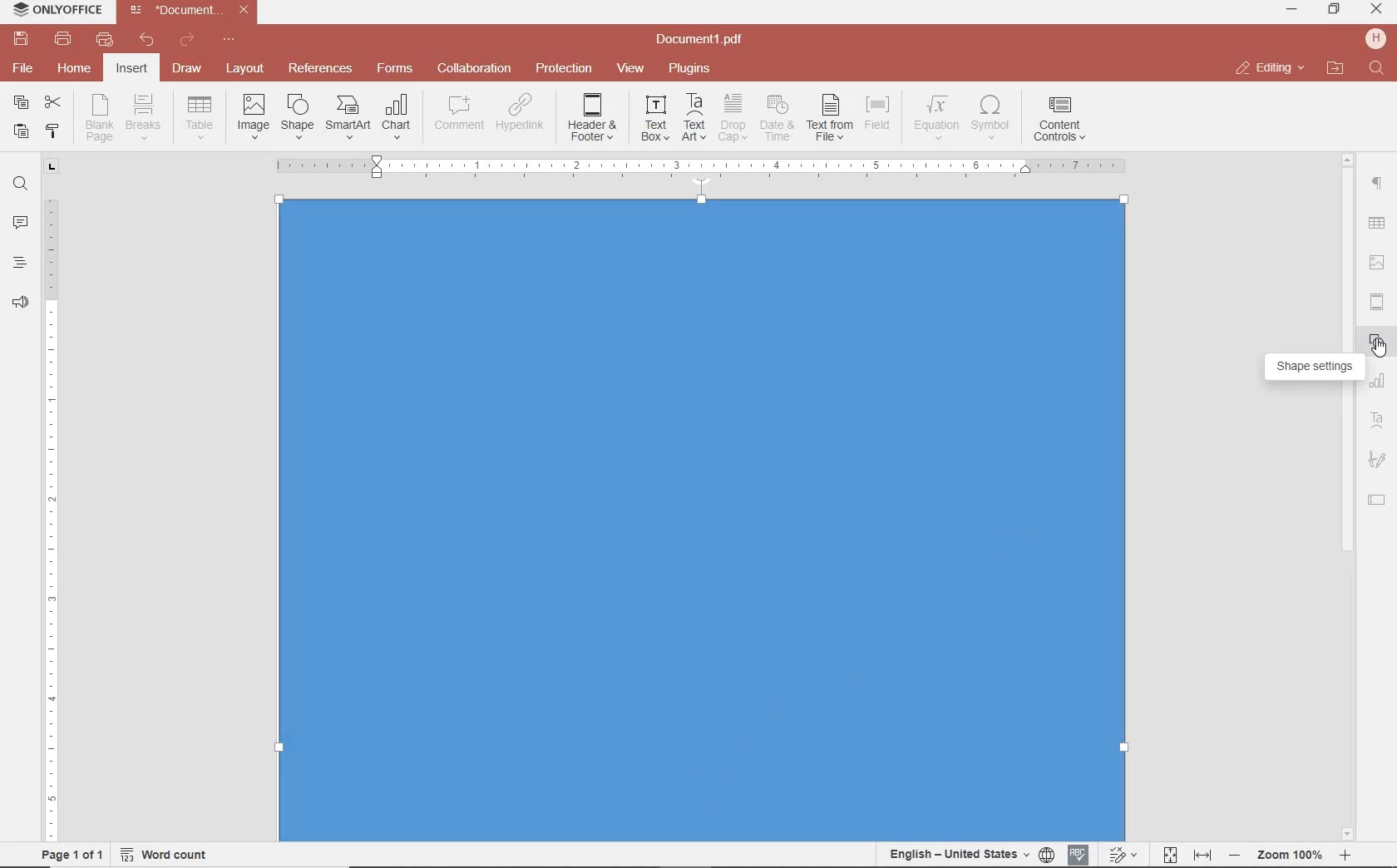  Describe the element at coordinates (594, 118) in the screenshot. I see `EDIT HEADER OR FOOTER` at that location.